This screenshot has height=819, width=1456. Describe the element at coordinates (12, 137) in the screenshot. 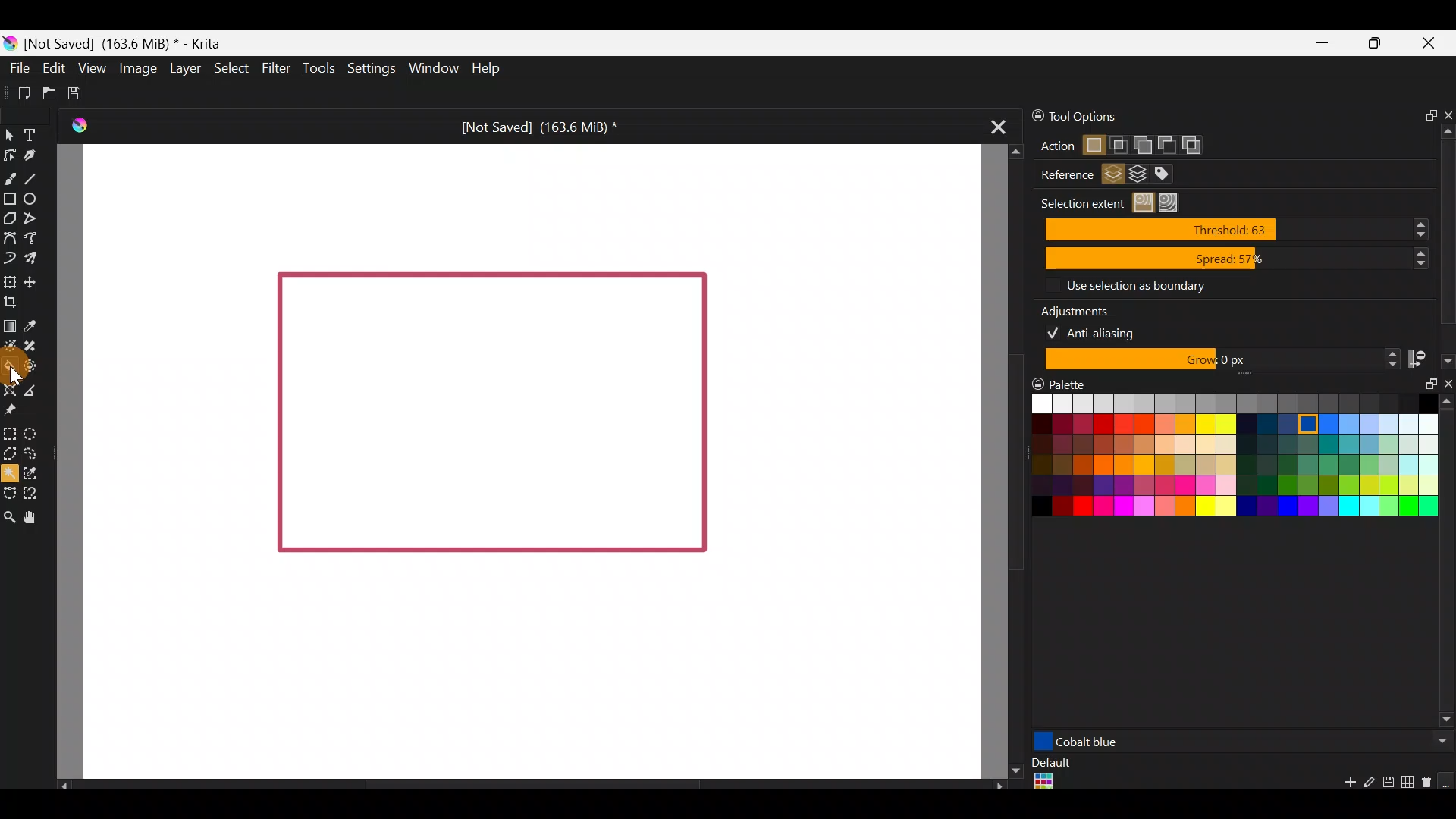

I see `Select shapes tool` at that location.